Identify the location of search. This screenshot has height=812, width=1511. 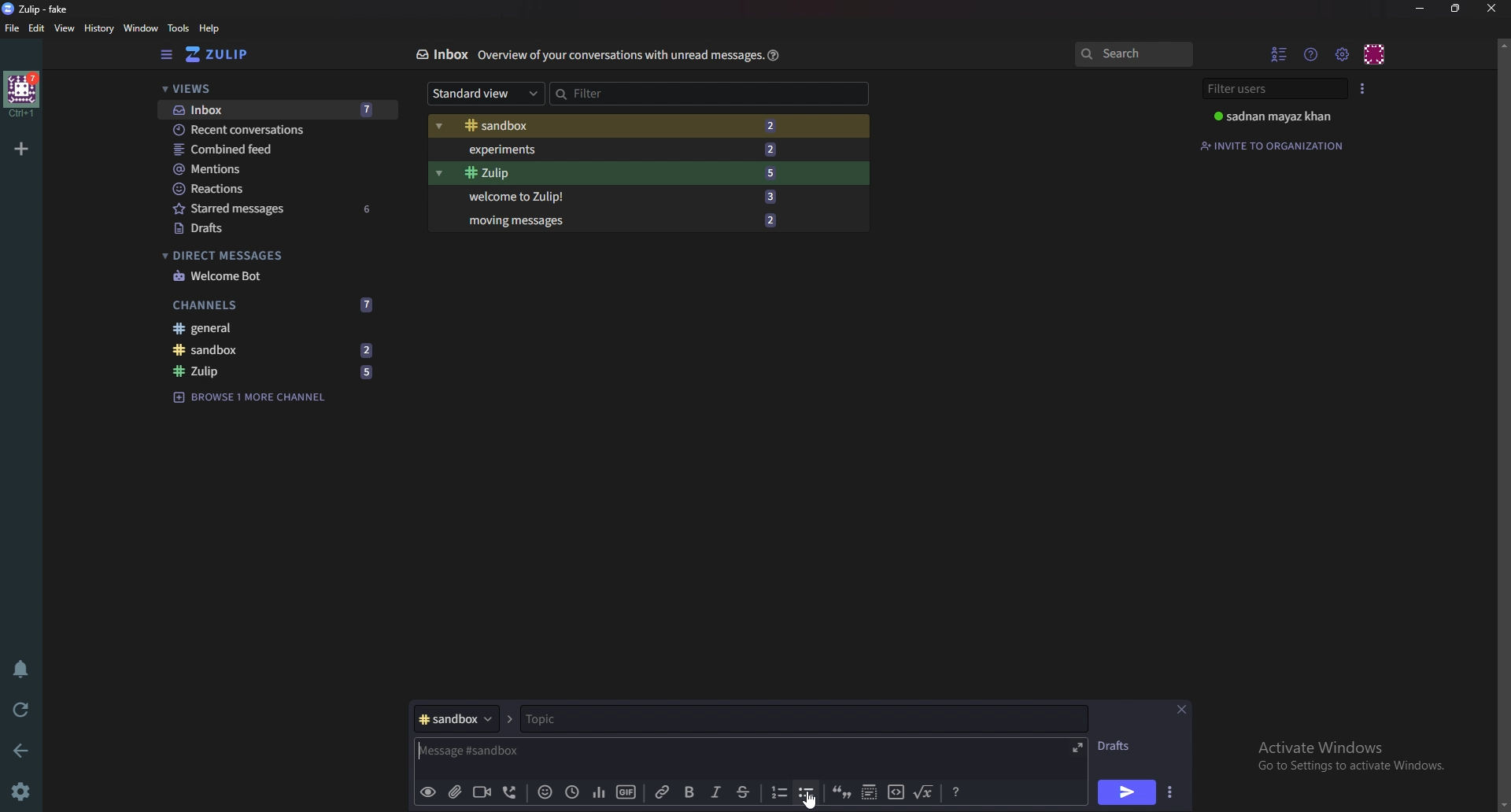
(1132, 54).